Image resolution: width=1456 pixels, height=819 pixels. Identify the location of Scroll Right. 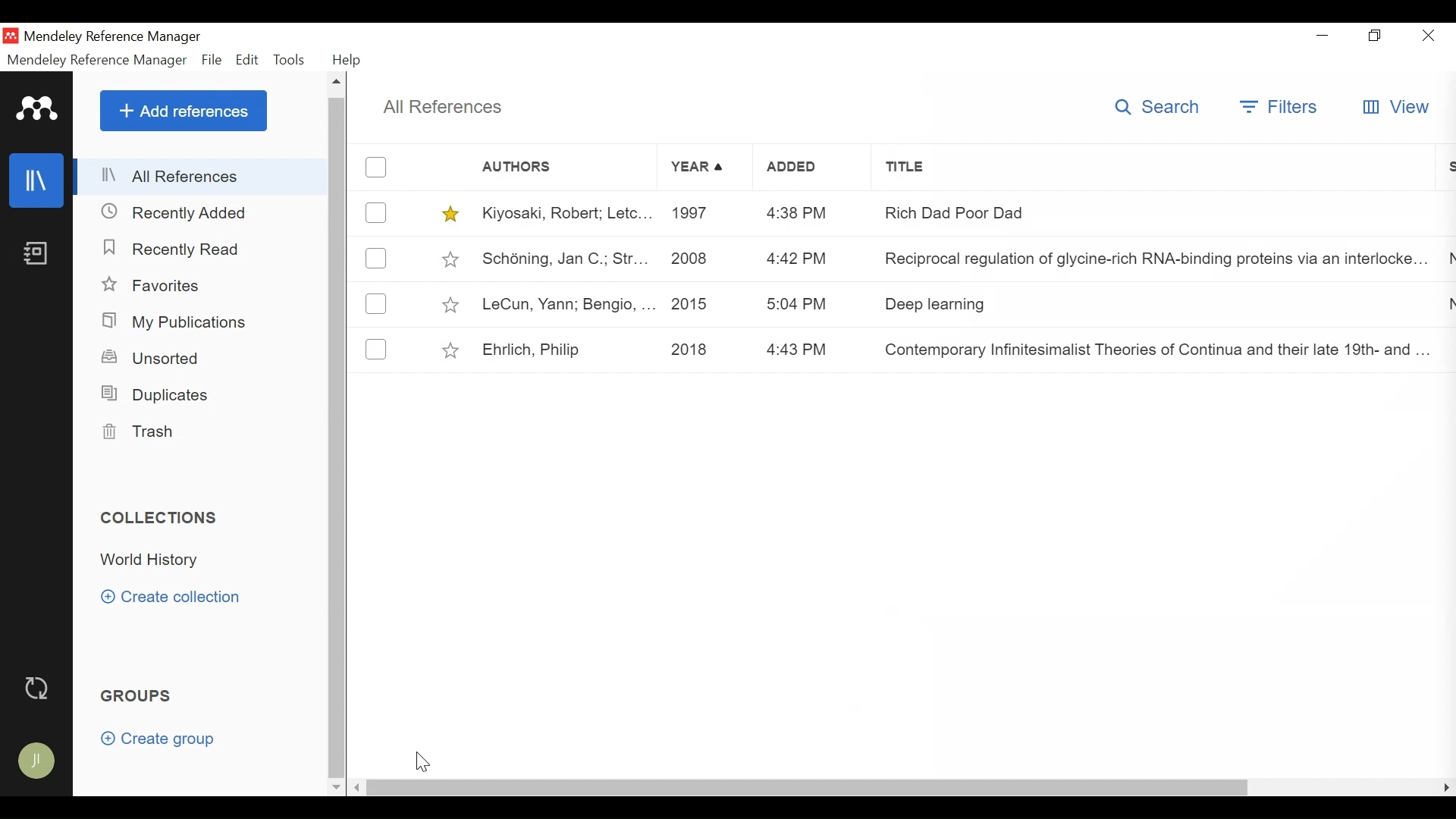
(1445, 788).